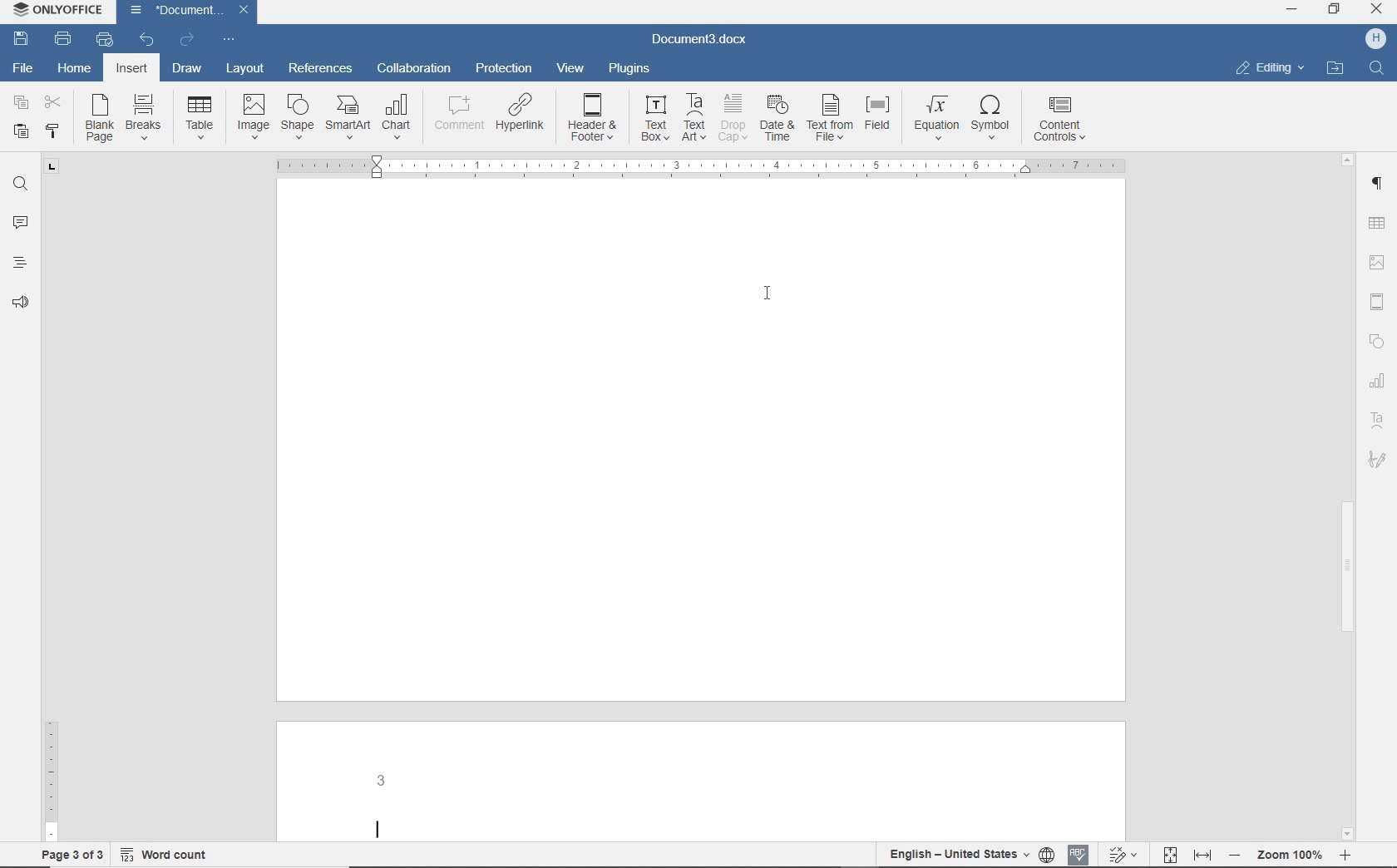 This screenshot has width=1397, height=868. What do you see at coordinates (147, 120) in the screenshot?
I see `BREAKS` at bounding box center [147, 120].